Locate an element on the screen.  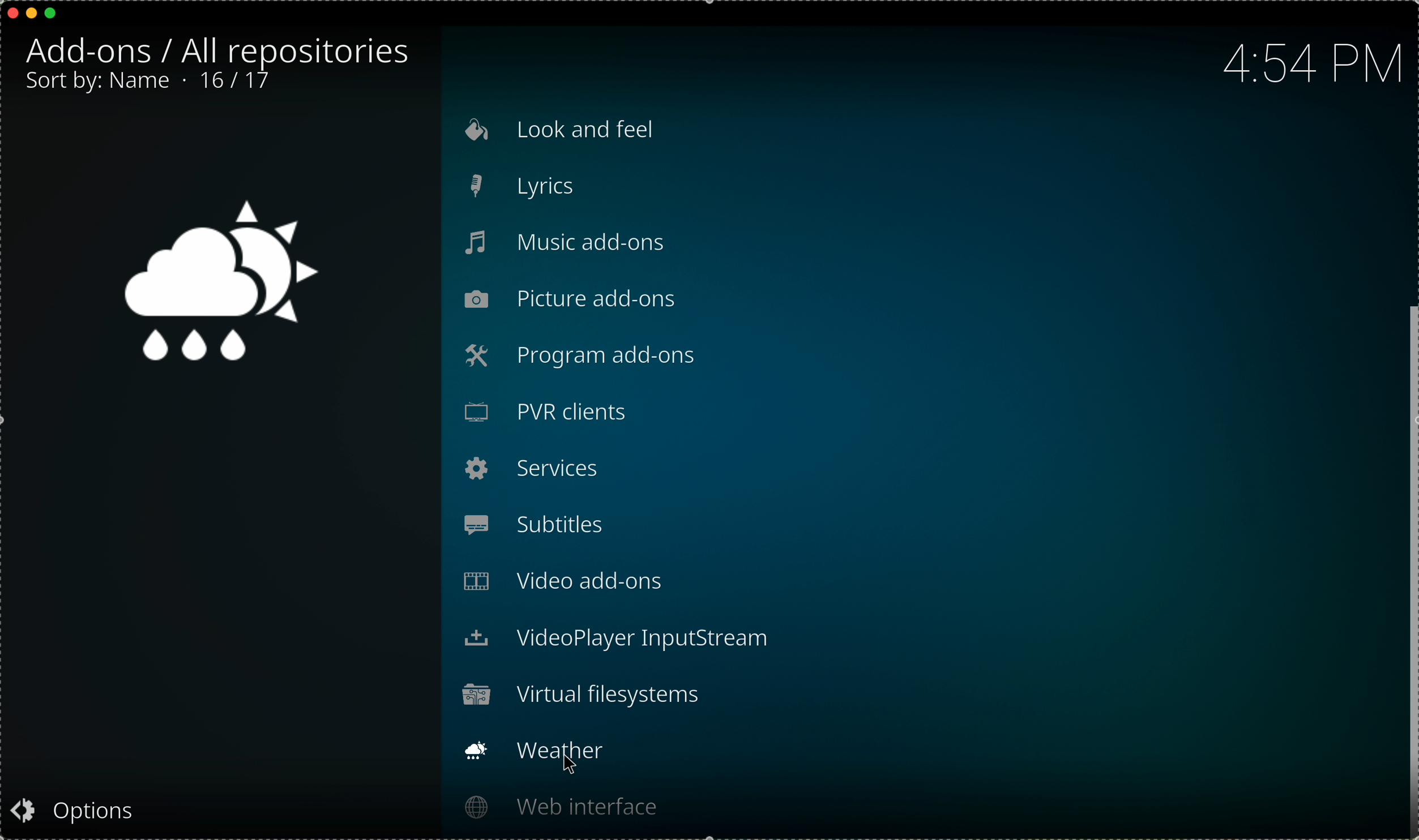
PVR clients is located at coordinates (566, 413).